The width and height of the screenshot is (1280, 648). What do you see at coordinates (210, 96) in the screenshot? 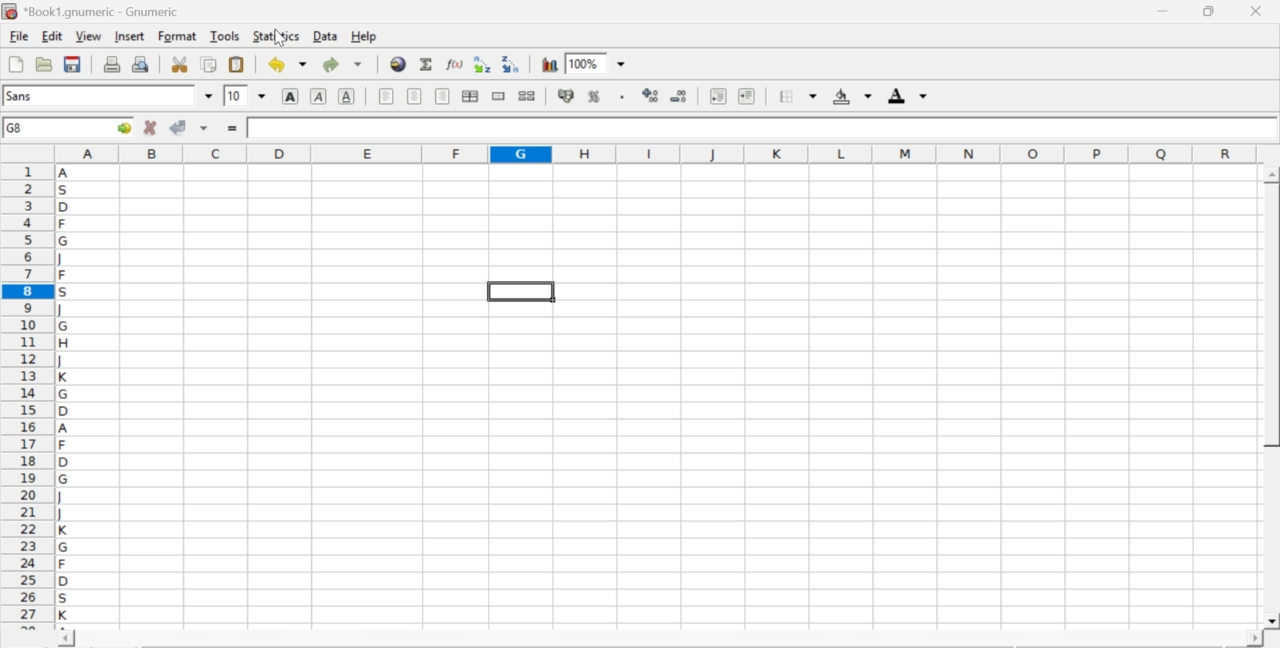
I see `drop down` at bounding box center [210, 96].